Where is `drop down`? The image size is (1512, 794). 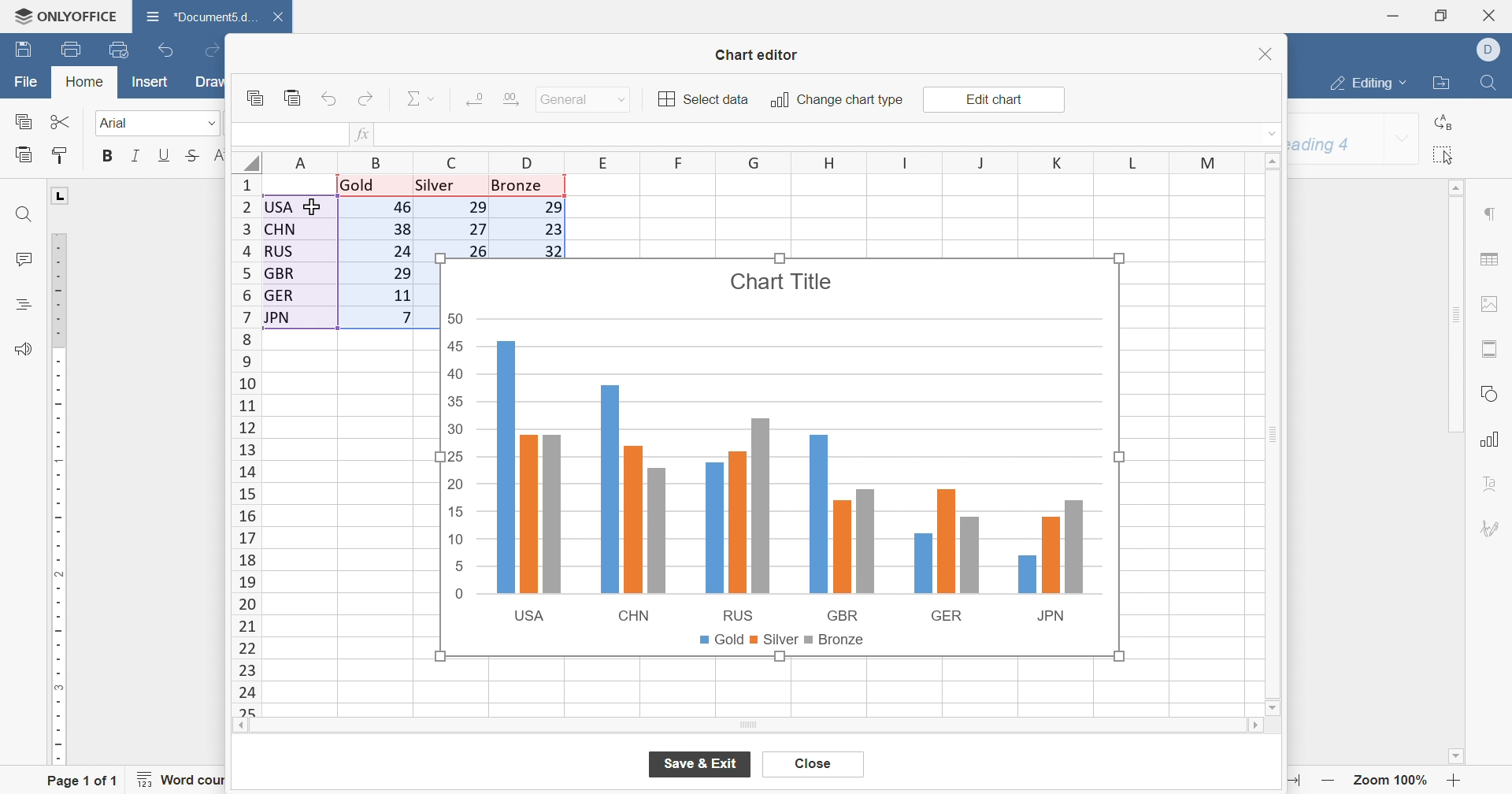
drop down is located at coordinates (1273, 132).